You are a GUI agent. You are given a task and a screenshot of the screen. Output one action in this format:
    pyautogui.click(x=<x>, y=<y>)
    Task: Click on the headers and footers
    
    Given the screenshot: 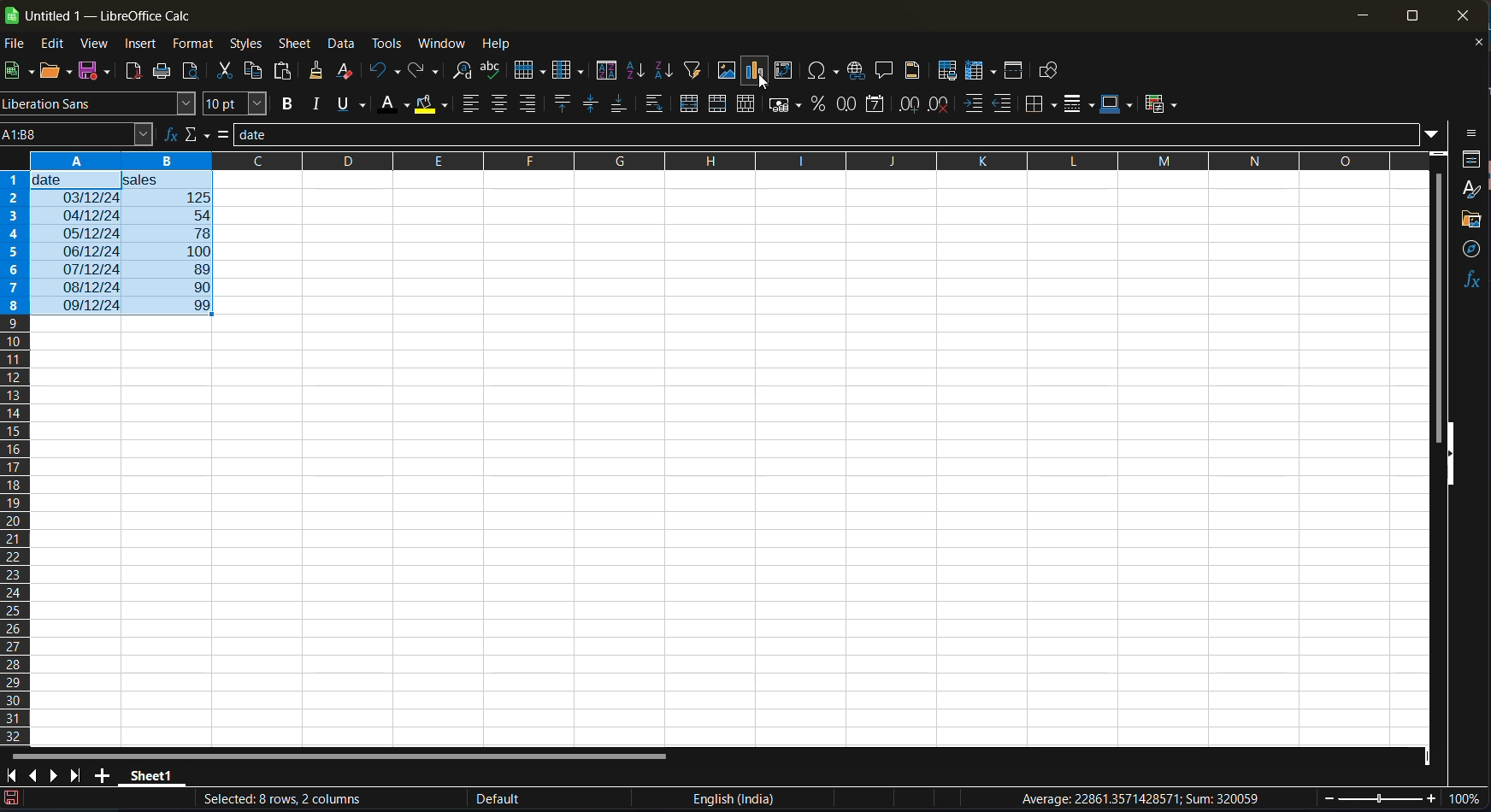 What is the action you would take?
    pyautogui.click(x=916, y=71)
    